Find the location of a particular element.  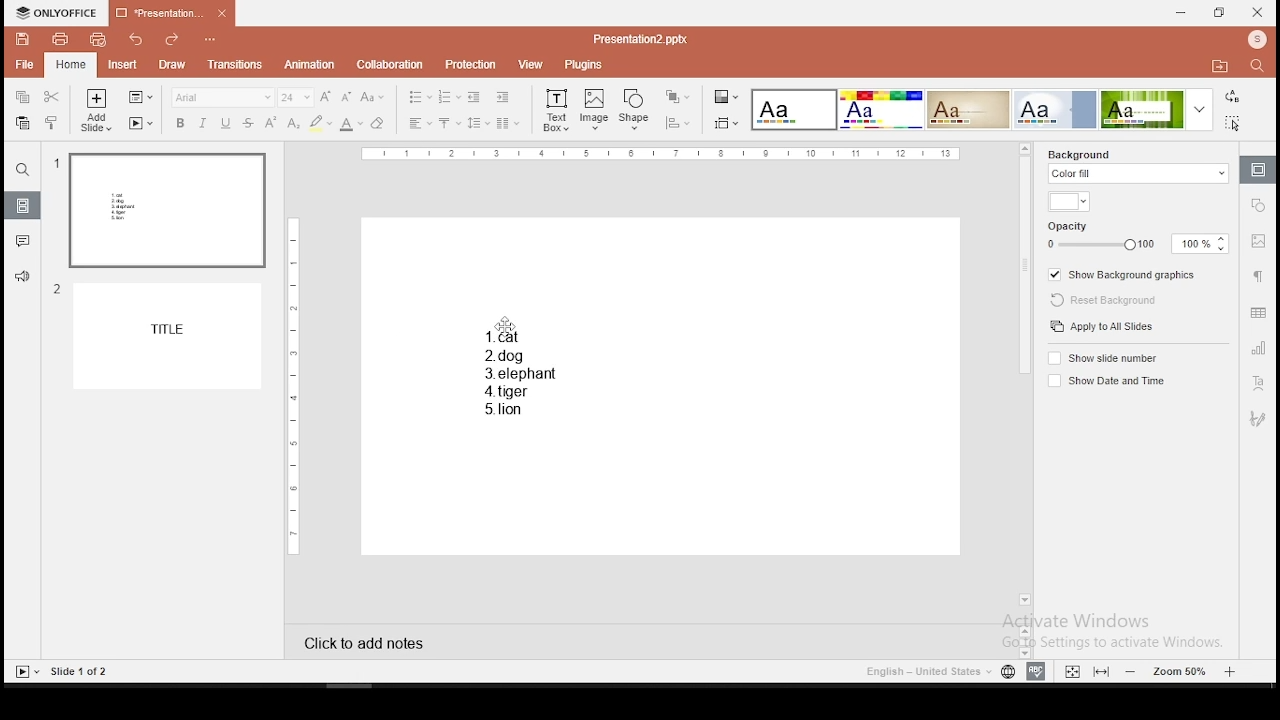

cut is located at coordinates (54, 95).